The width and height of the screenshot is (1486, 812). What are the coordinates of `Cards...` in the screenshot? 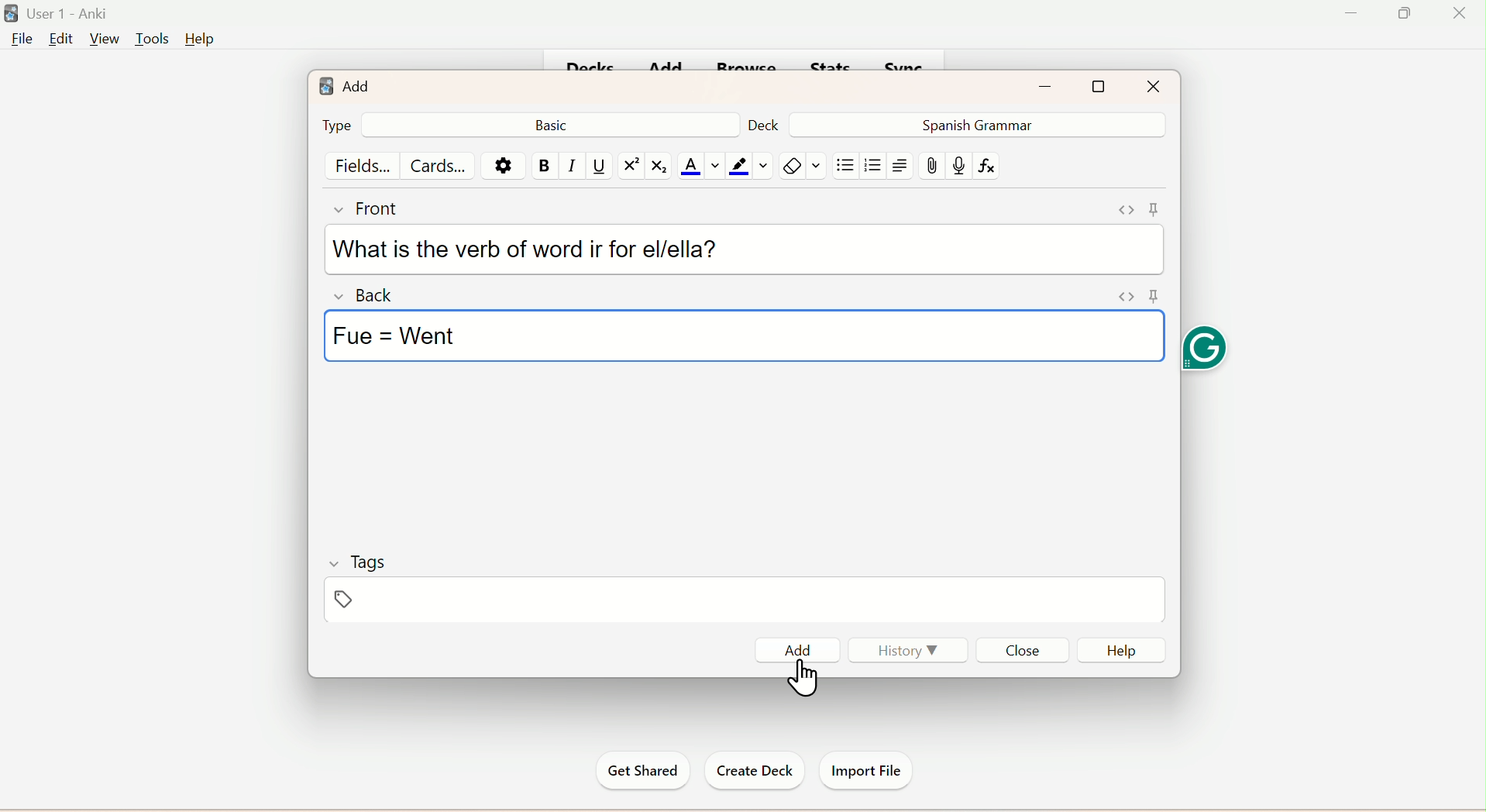 It's located at (441, 165).